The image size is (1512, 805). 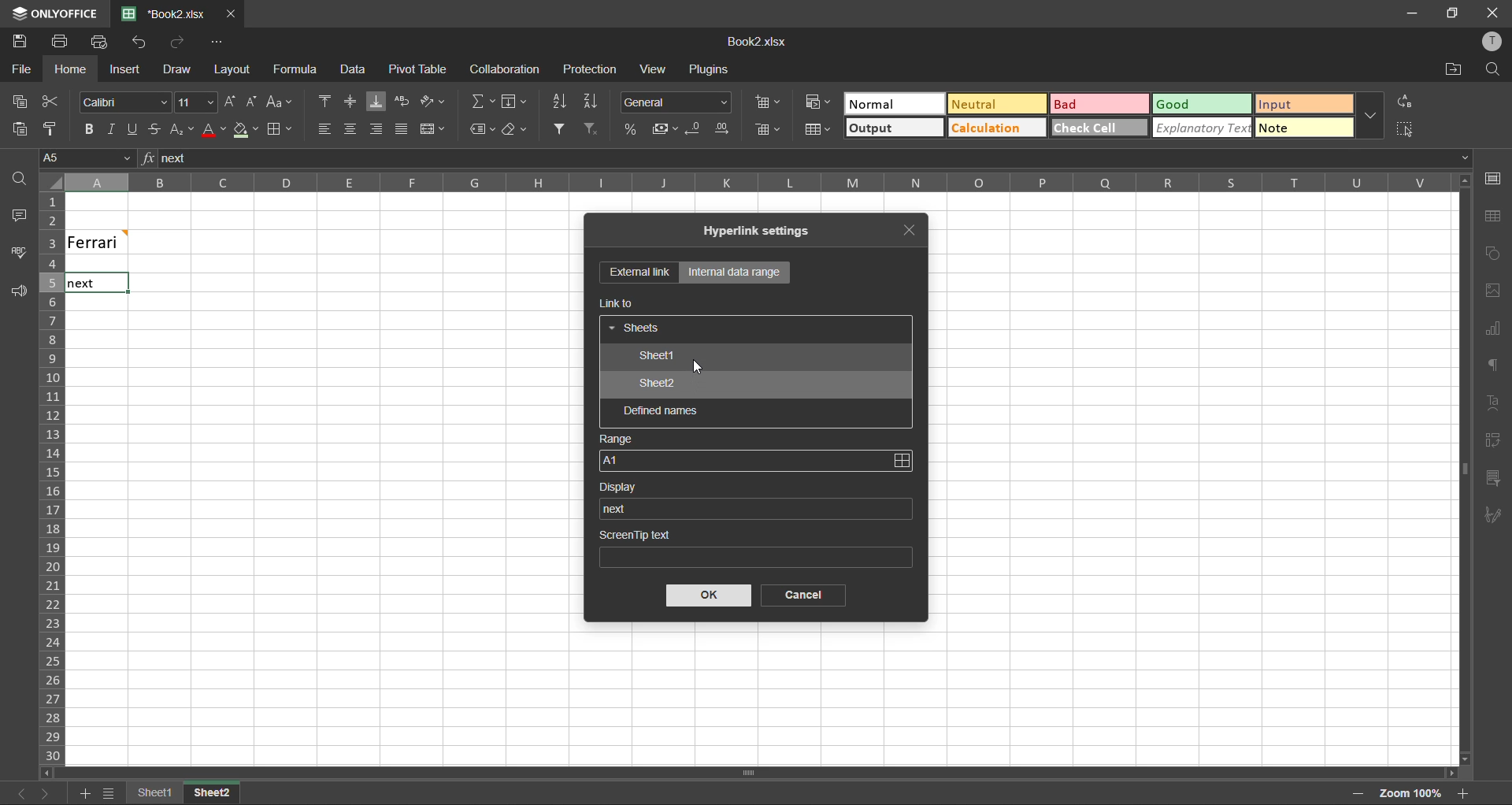 What do you see at coordinates (516, 102) in the screenshot?
I see `fields` at bounding box center [516, 102].